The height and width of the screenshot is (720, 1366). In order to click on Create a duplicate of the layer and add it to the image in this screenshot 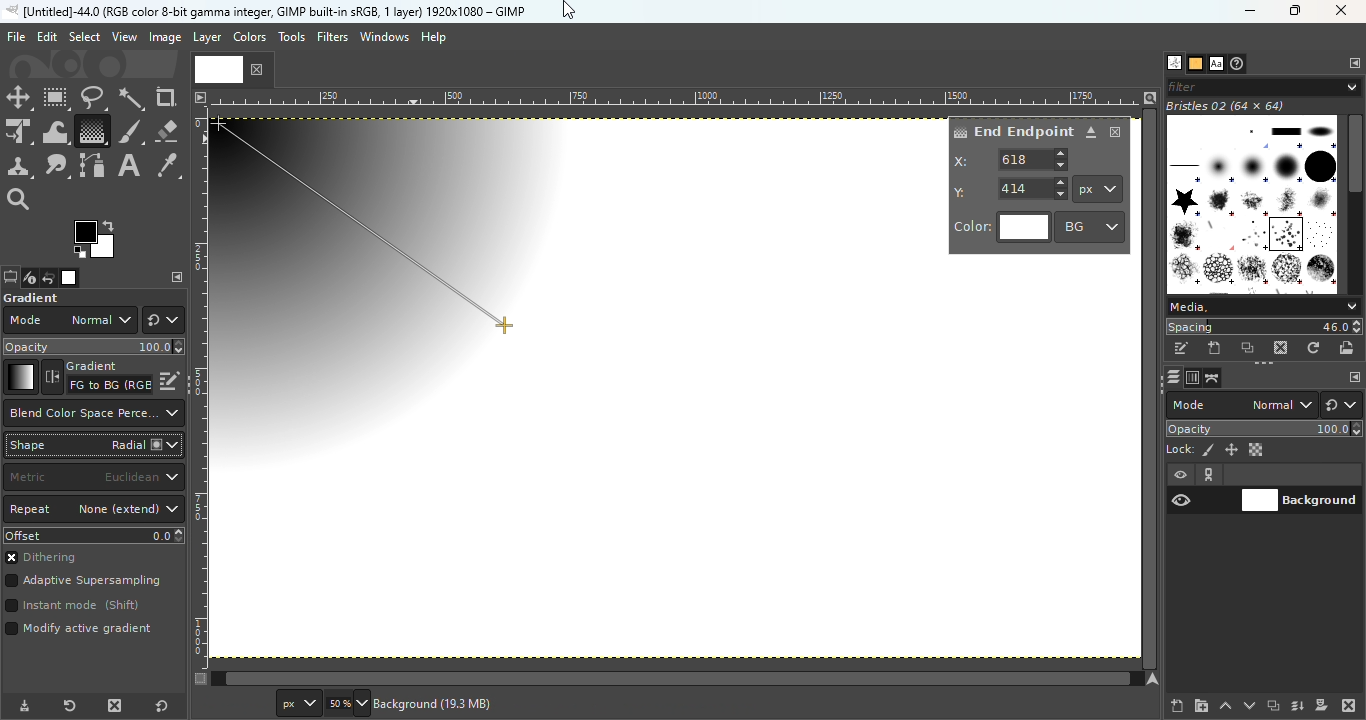, I will do `click(1272, 707)`.